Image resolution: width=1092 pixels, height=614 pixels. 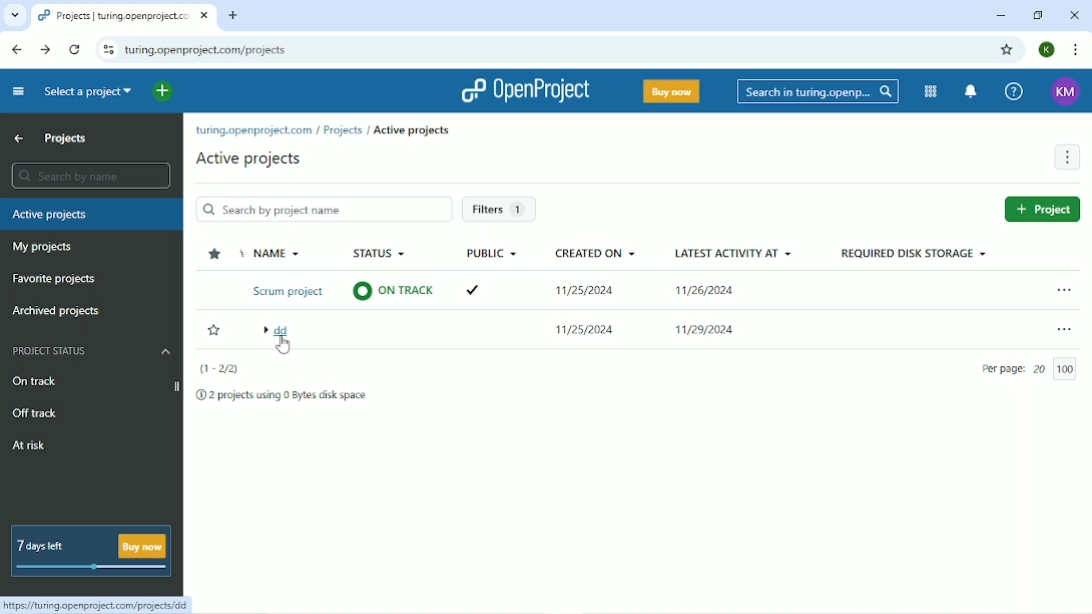 I want to click on Close, so click(x=1074, y=17).